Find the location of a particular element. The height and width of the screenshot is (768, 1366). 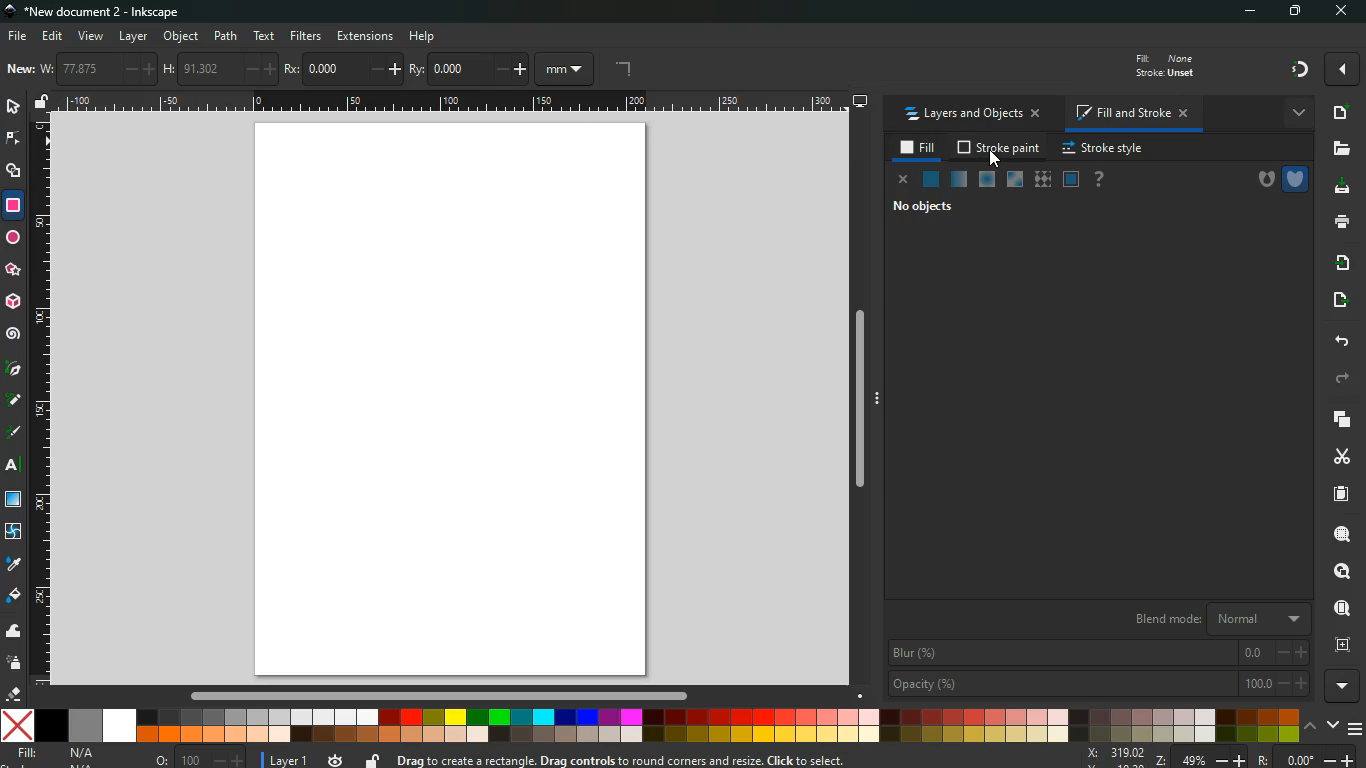

layers is located at coordinates (1344, 421).